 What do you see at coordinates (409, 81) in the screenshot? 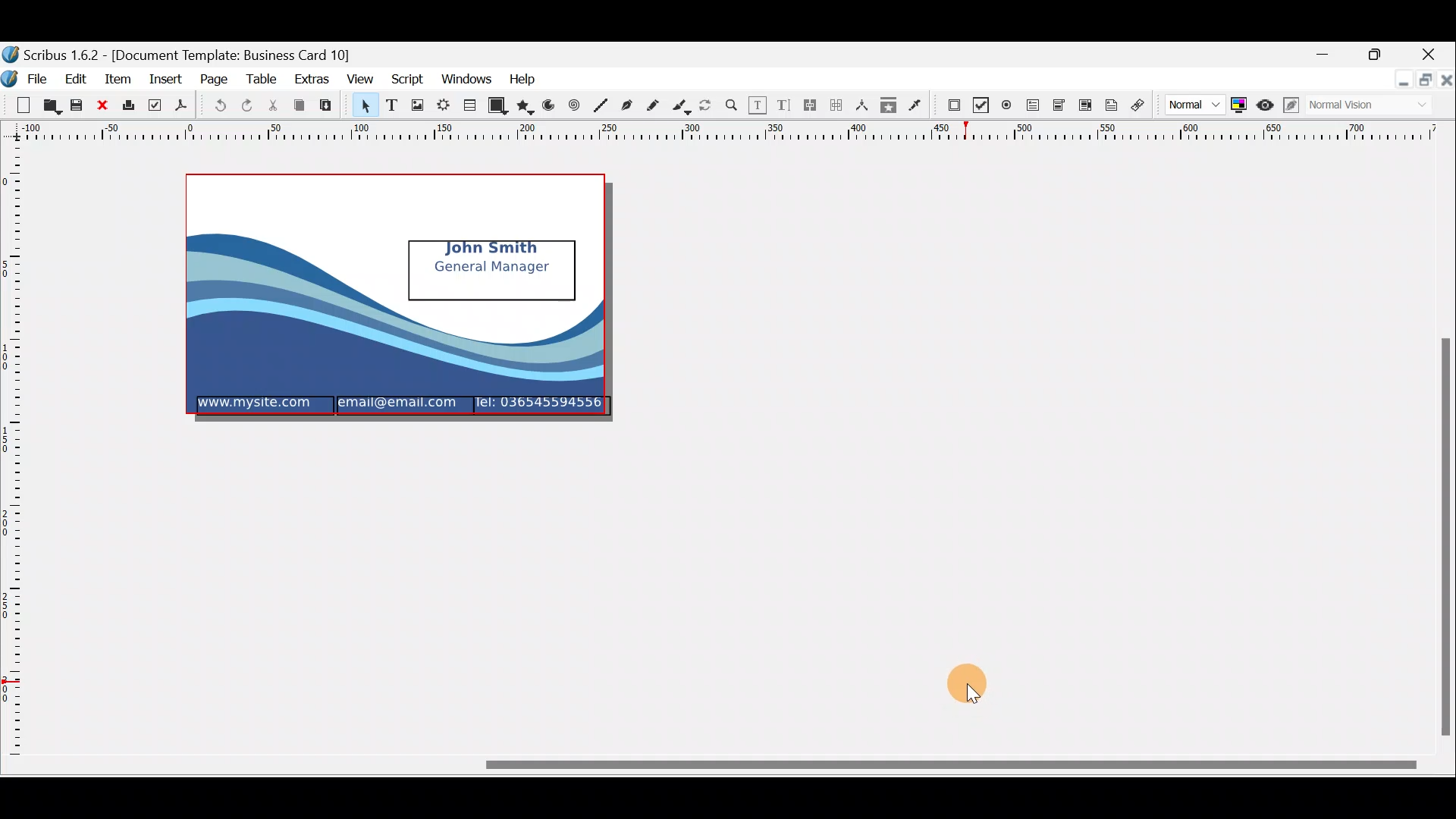
I see `Script` at bounding box center [409, 81].